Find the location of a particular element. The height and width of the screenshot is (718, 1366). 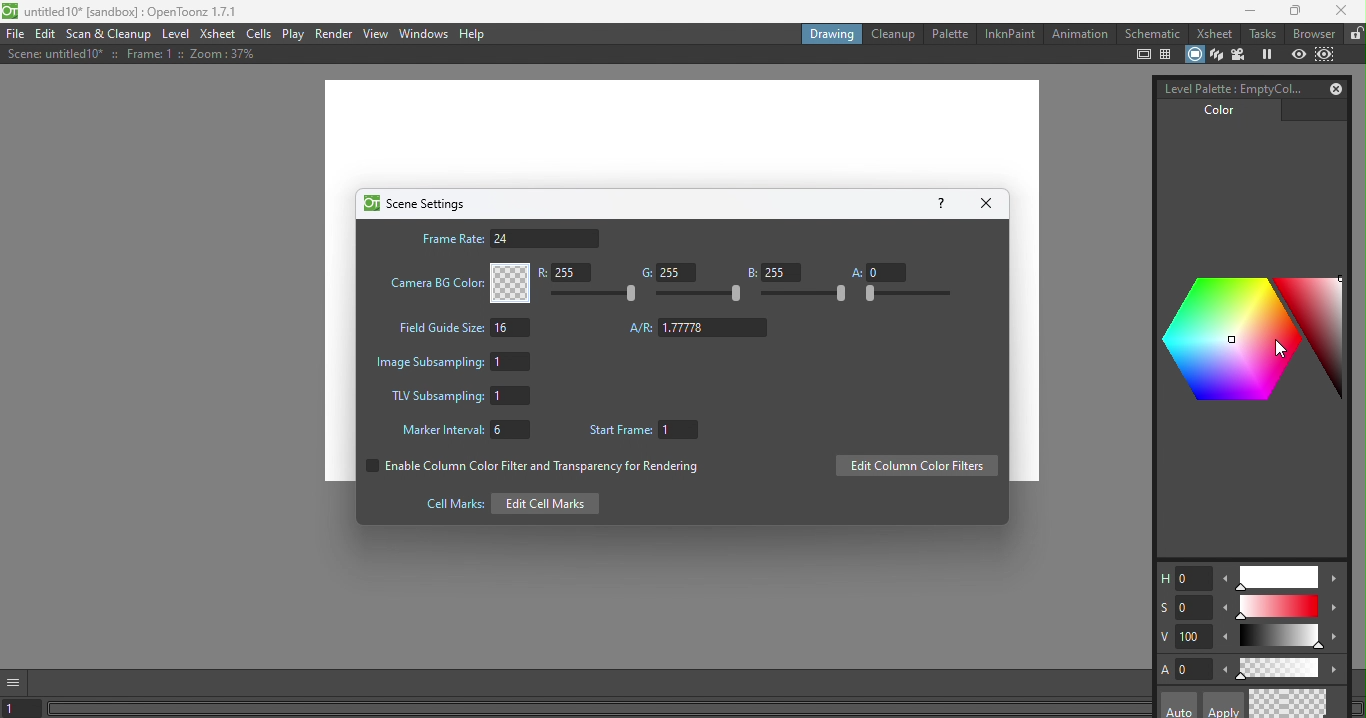

Scene settings is located at coordinates (414, 203).